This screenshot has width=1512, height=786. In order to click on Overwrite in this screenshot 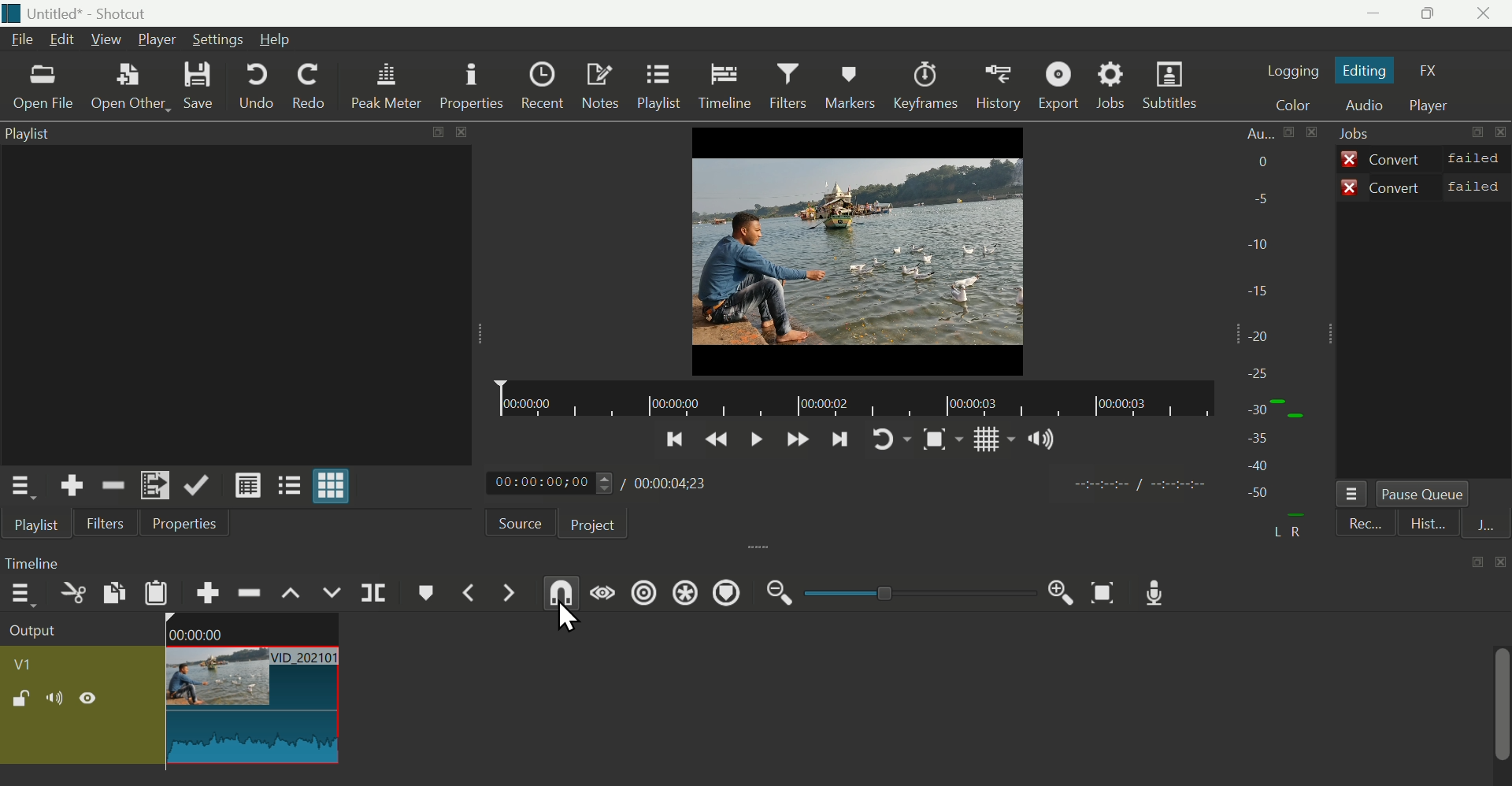, I will do `click(333, 593)`.